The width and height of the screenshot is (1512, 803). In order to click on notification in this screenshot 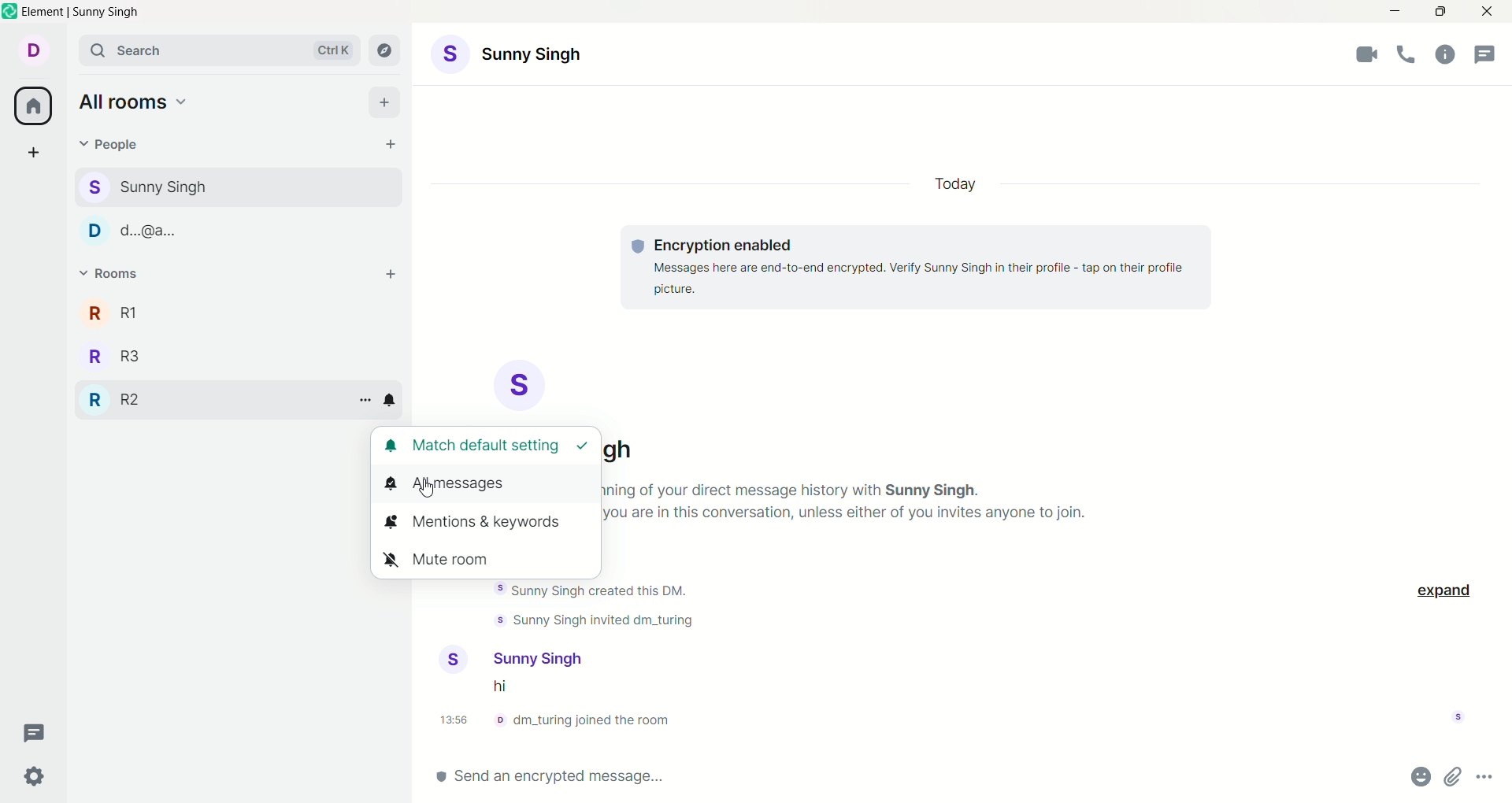, I will do `click(391, 400)`.